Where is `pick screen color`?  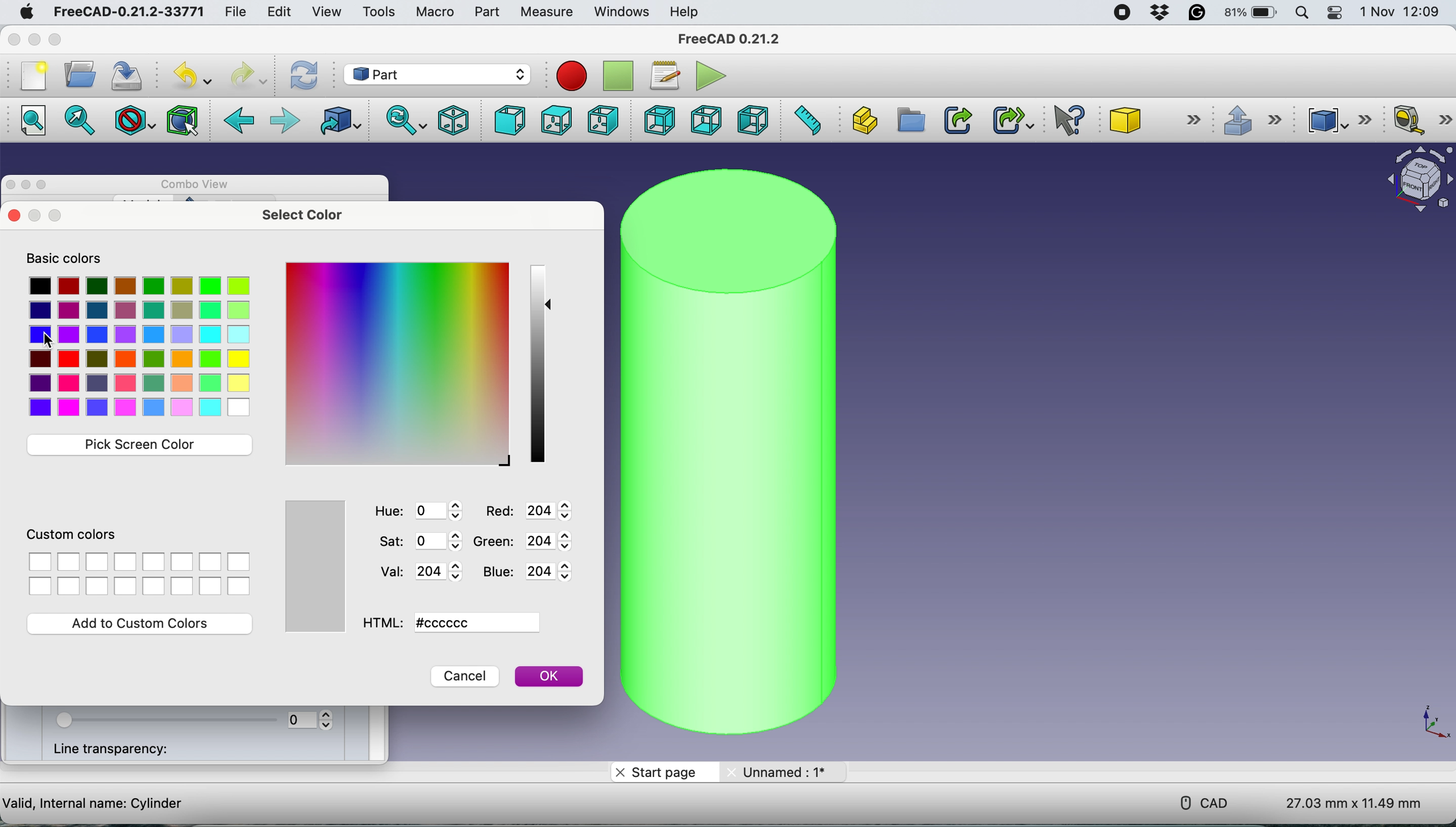 pick screen color is located at coordinates (140, 445).